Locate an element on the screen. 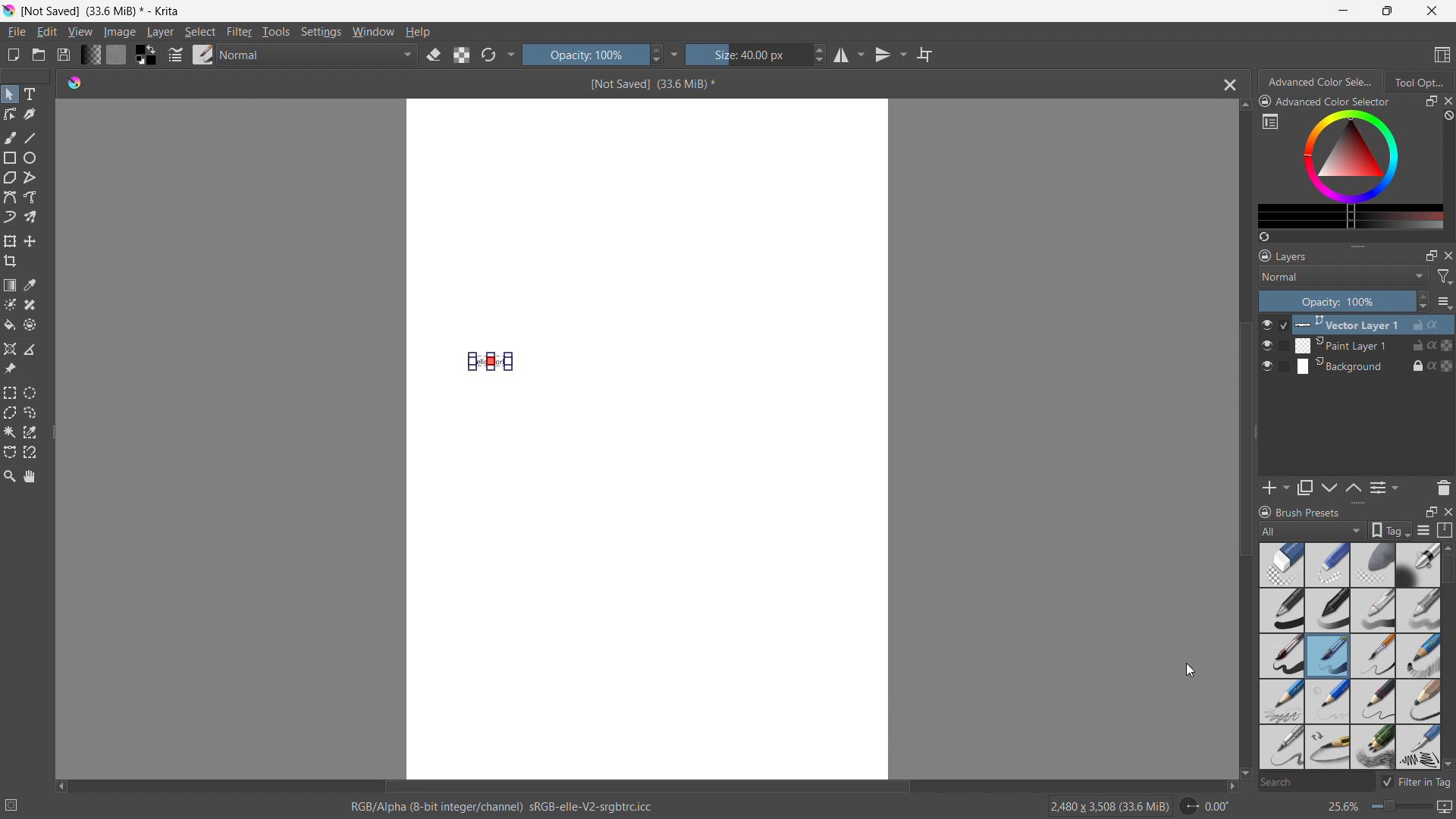 The height and width of the screenshot is (819, 1456). ellipse tool is located at coordinates (30, 158).